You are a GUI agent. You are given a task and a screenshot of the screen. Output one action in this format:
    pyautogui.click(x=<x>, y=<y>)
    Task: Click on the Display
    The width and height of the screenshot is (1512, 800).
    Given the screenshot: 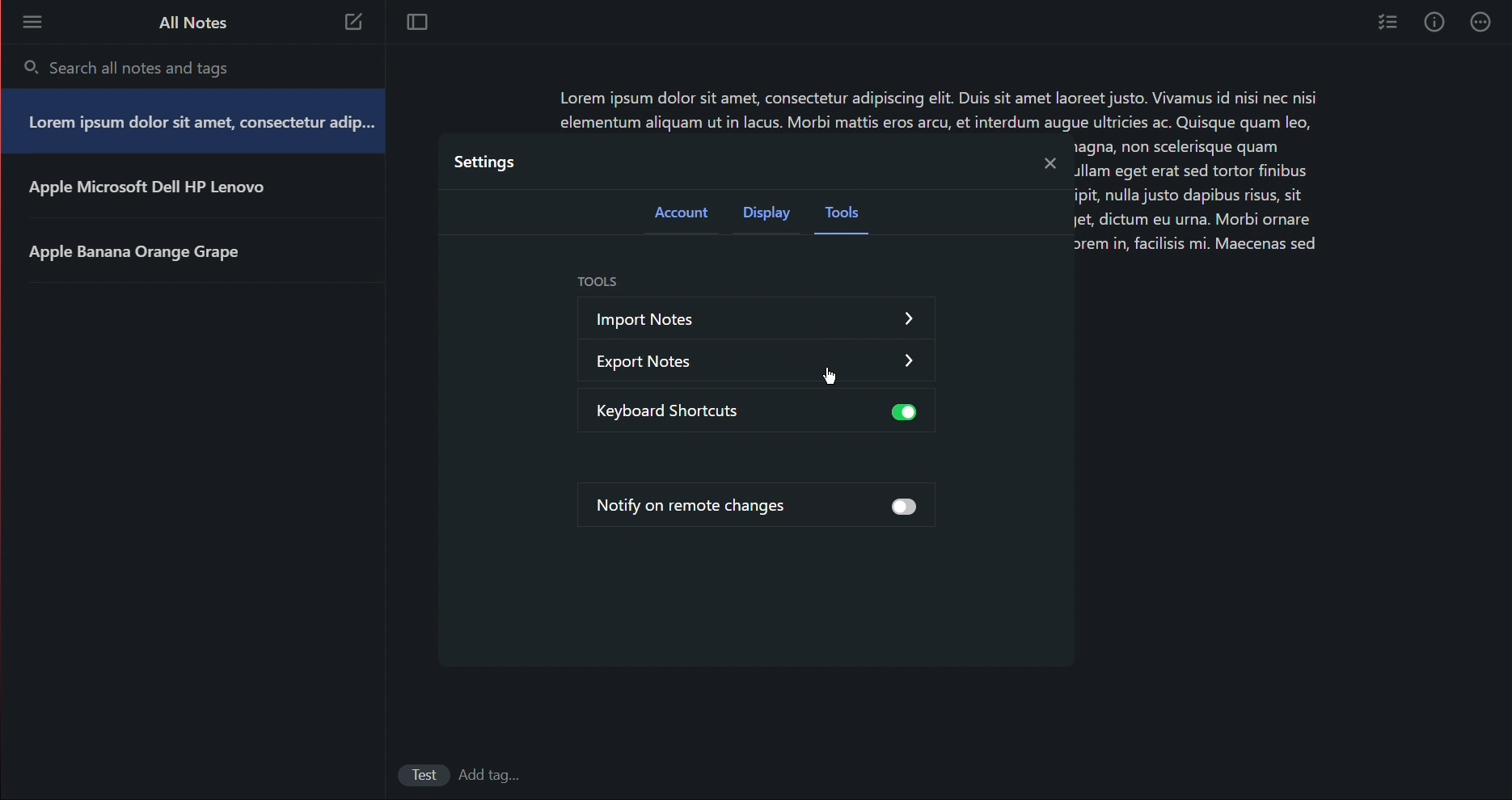 What is the action you would take?
    pyautogui.click(x=768, y=215)
    